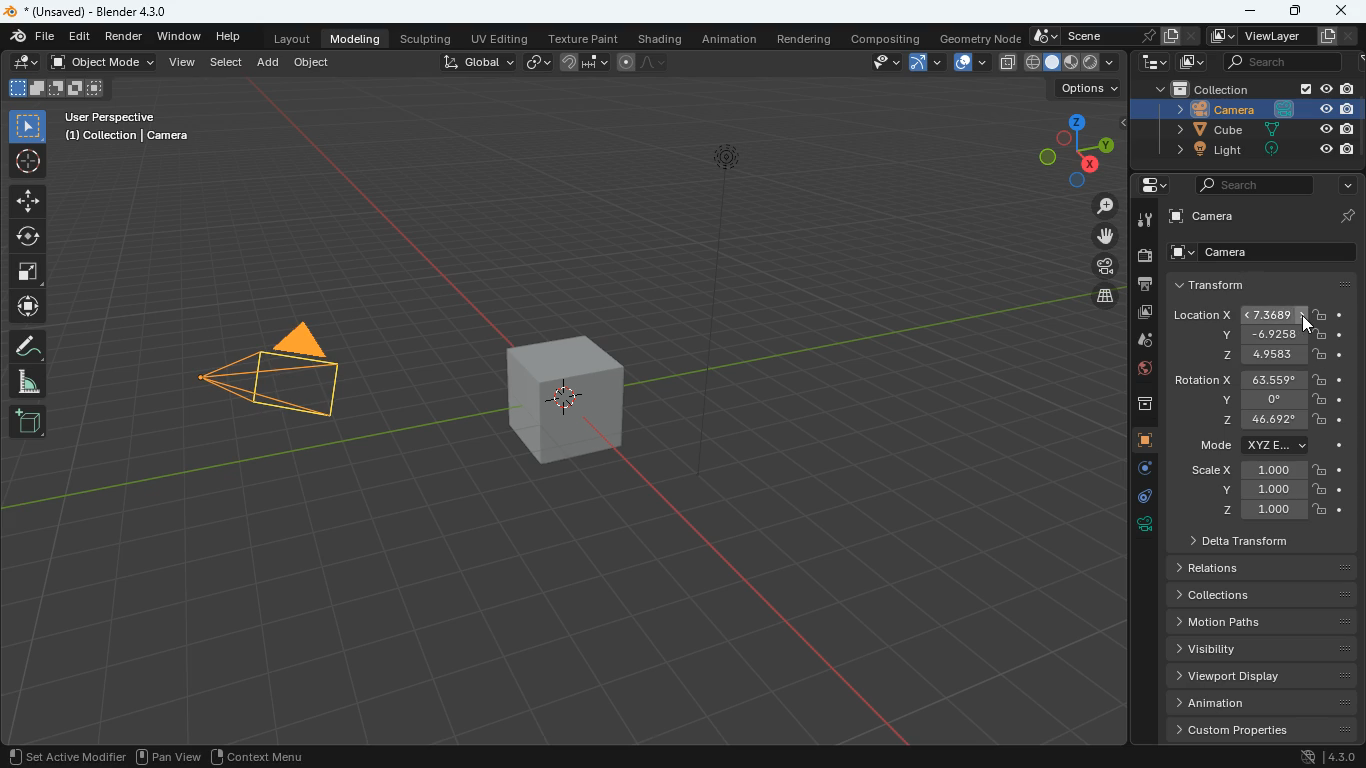  Describe the element at coordinates (1262, 284) in the screenshot. I see `transform` at that location.